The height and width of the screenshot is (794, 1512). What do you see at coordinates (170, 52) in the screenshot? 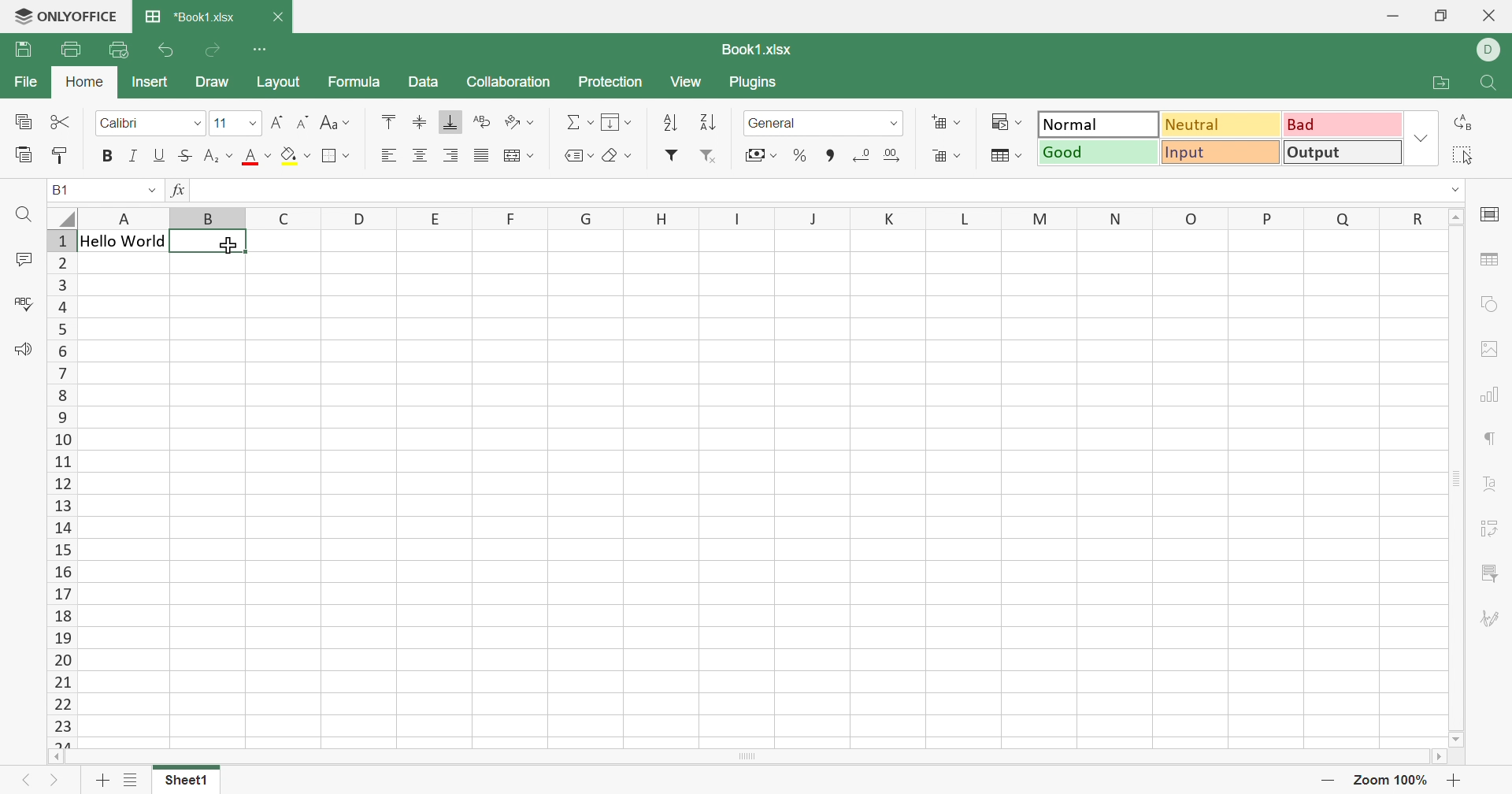
I see `Undo` at bounding box center [170, 52].